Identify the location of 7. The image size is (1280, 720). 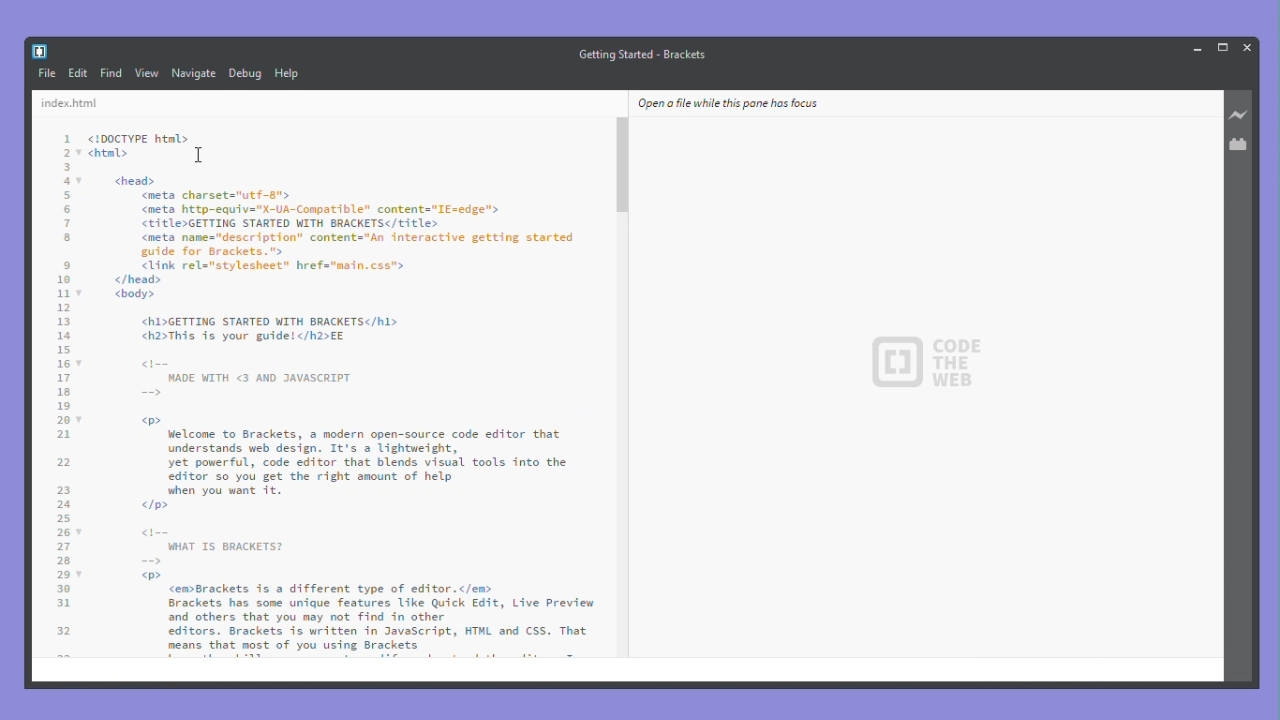
(67, 223).